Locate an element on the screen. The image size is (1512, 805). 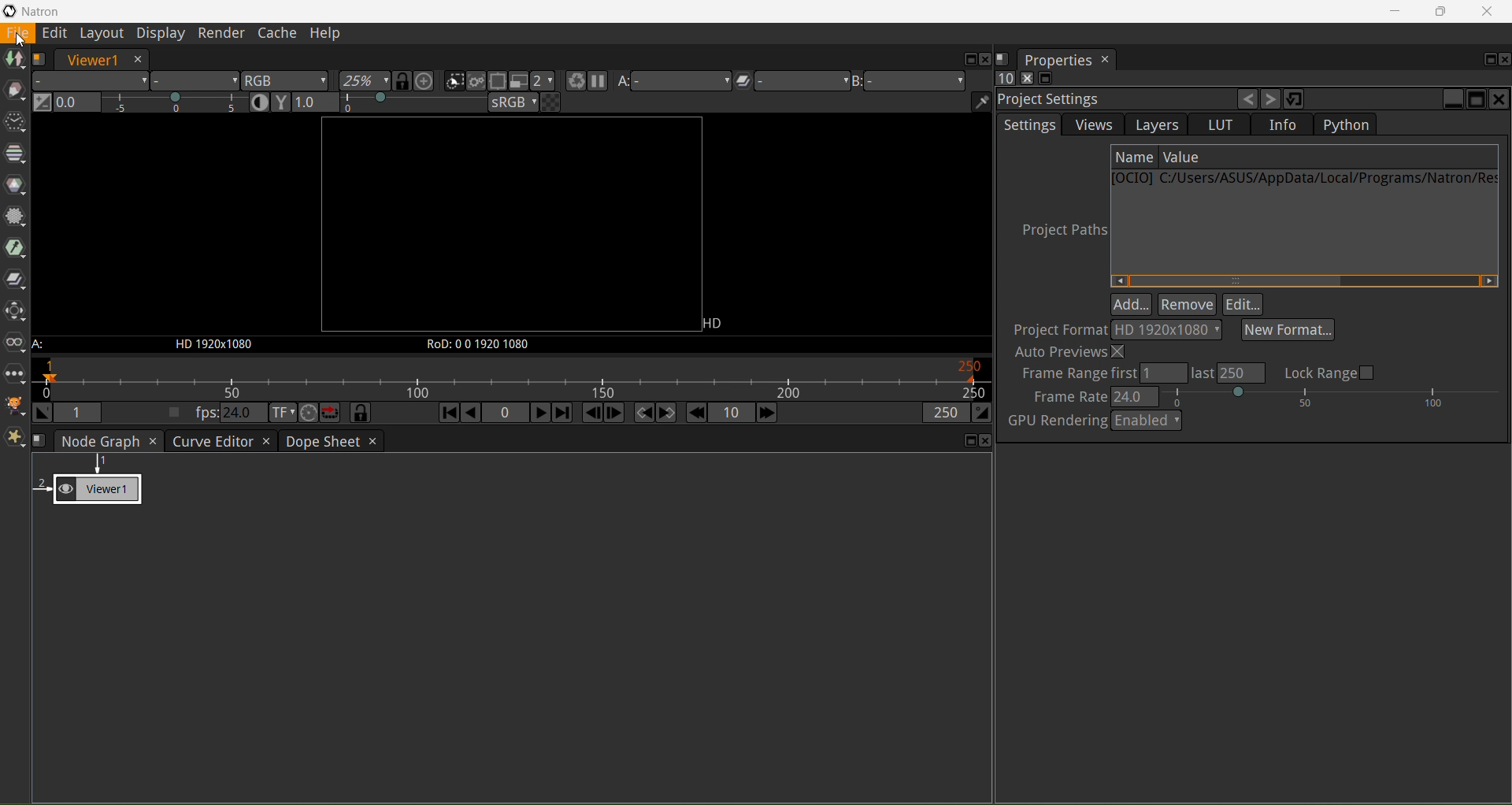
Redo the last change undone to this operator is located at coordinates (1271, 99).